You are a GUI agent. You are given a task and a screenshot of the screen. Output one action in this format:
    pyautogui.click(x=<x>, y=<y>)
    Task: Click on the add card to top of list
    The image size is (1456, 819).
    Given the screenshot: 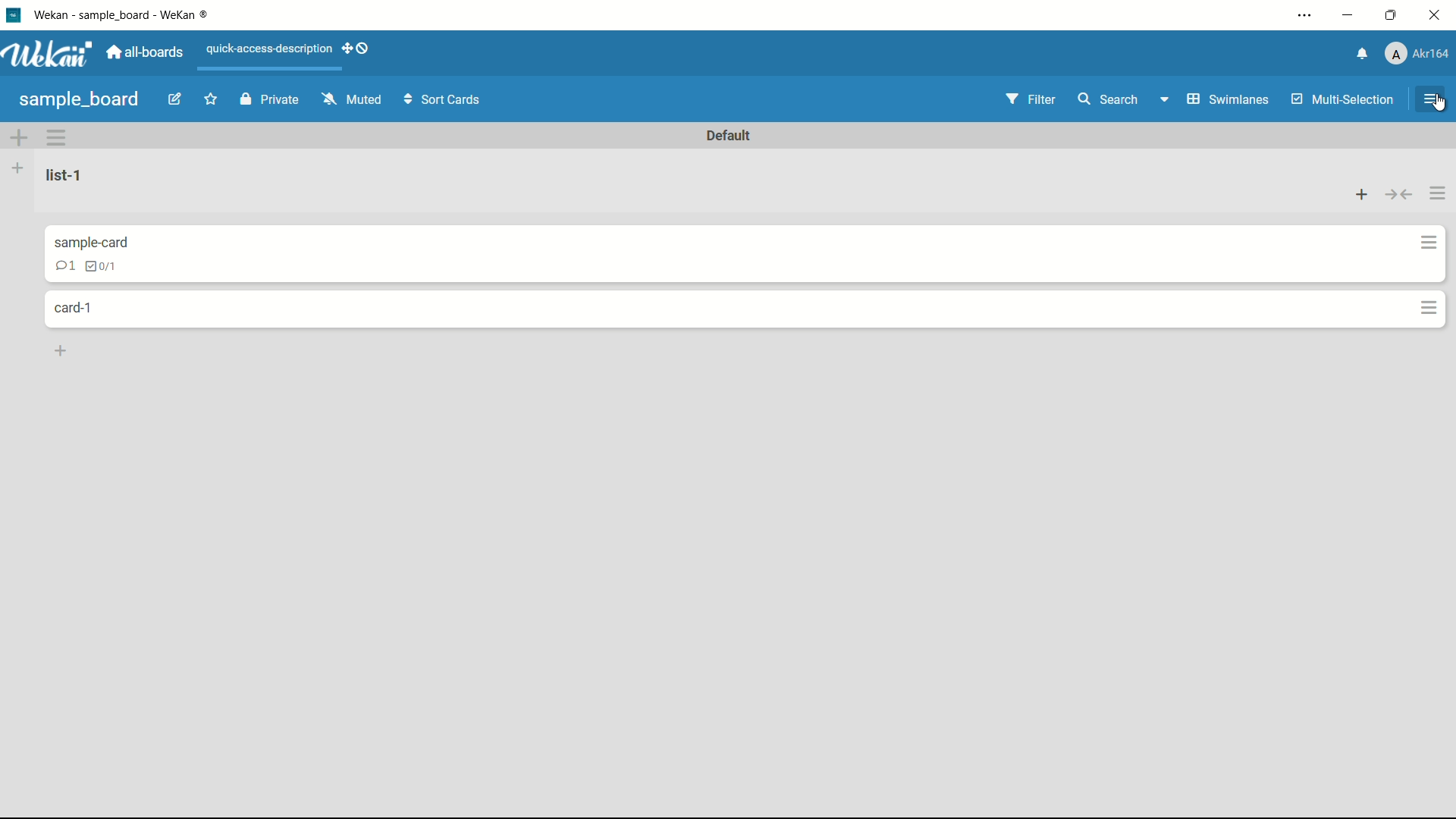 What is the action you would take?
    pyautogui.click(x=1359, y=194)
    